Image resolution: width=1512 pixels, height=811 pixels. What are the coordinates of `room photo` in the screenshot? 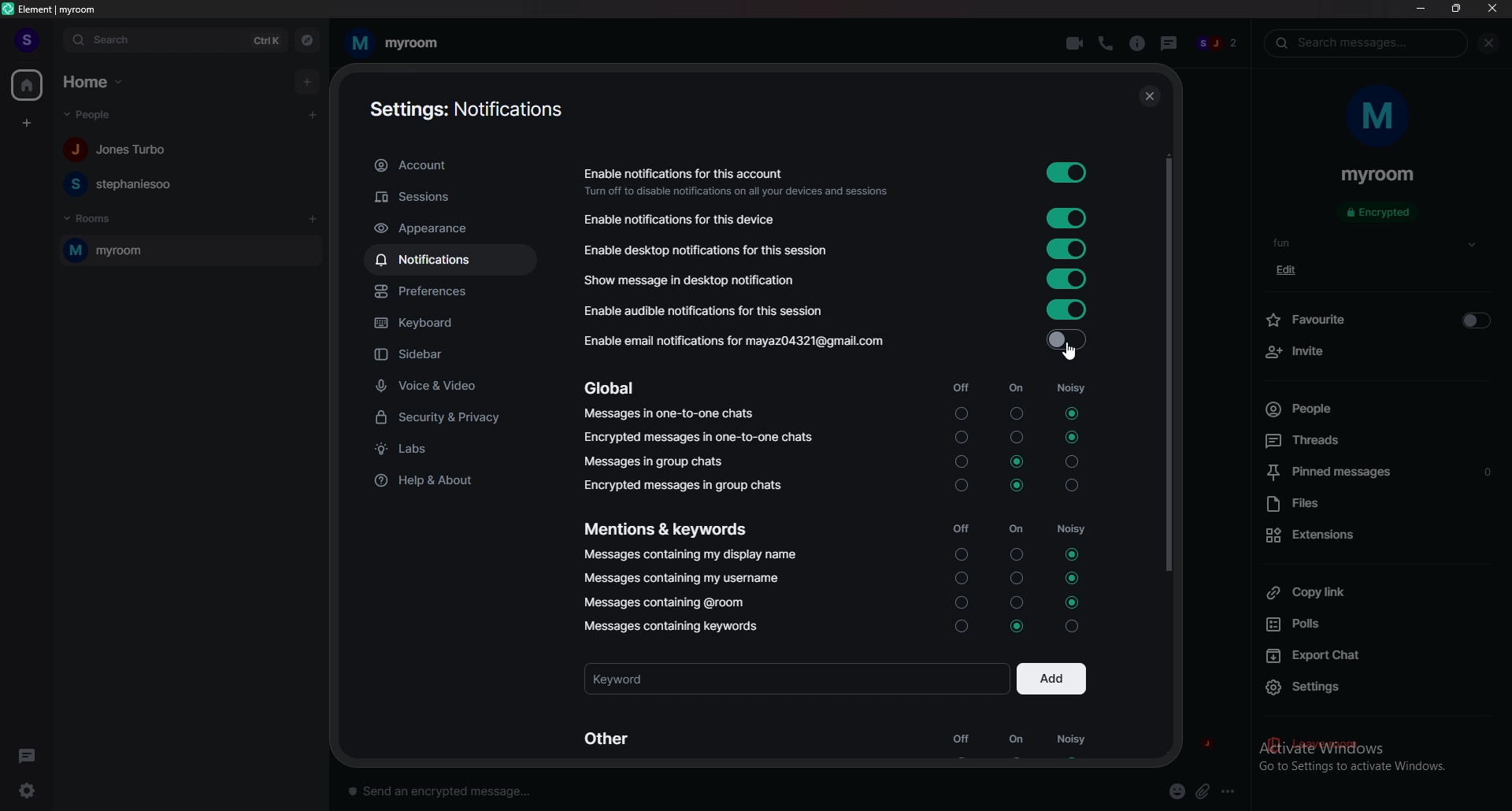 It's located at (1380, 117).